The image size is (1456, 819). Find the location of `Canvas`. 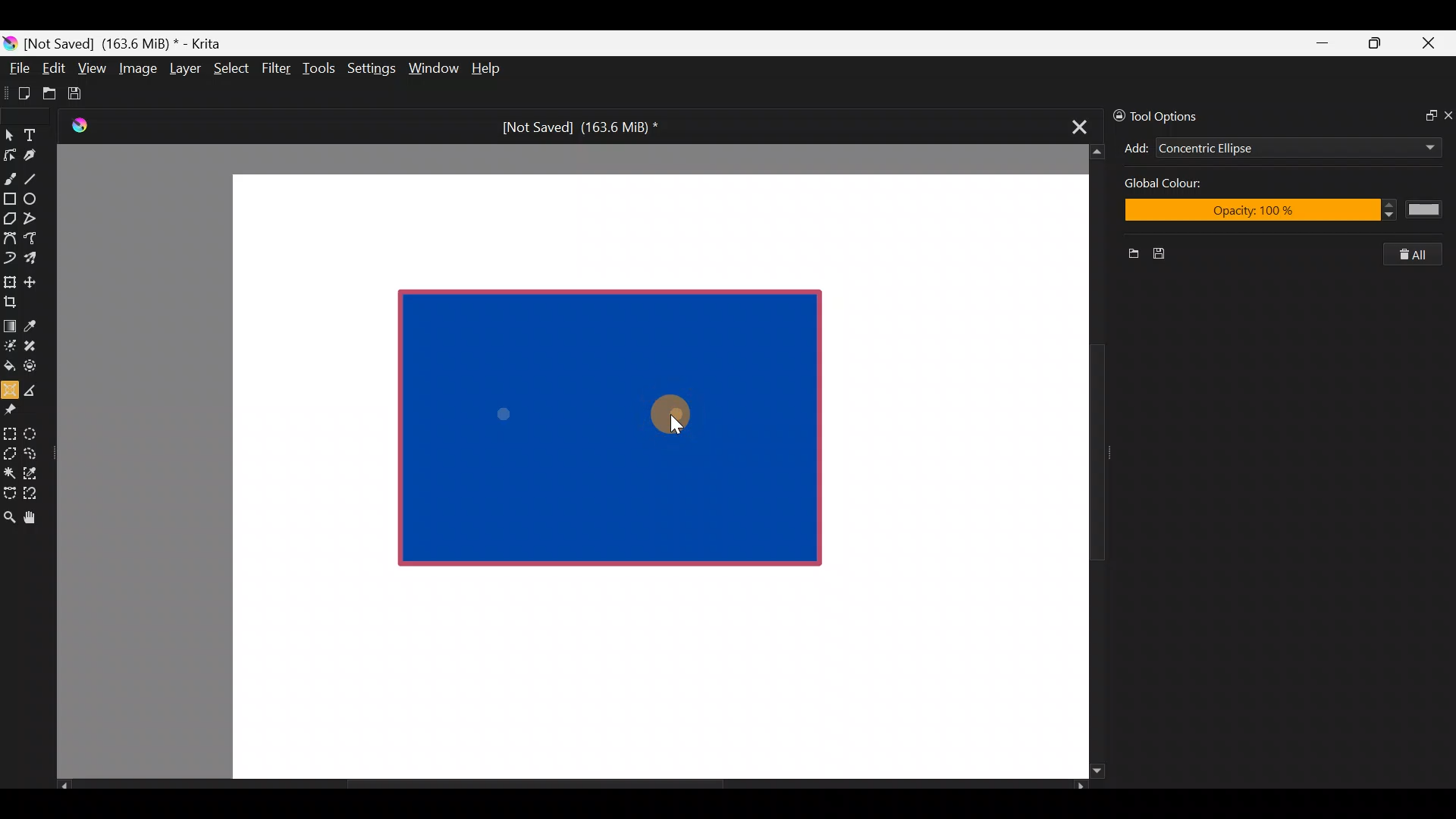

Canvas is located at coordinates (648, 475).